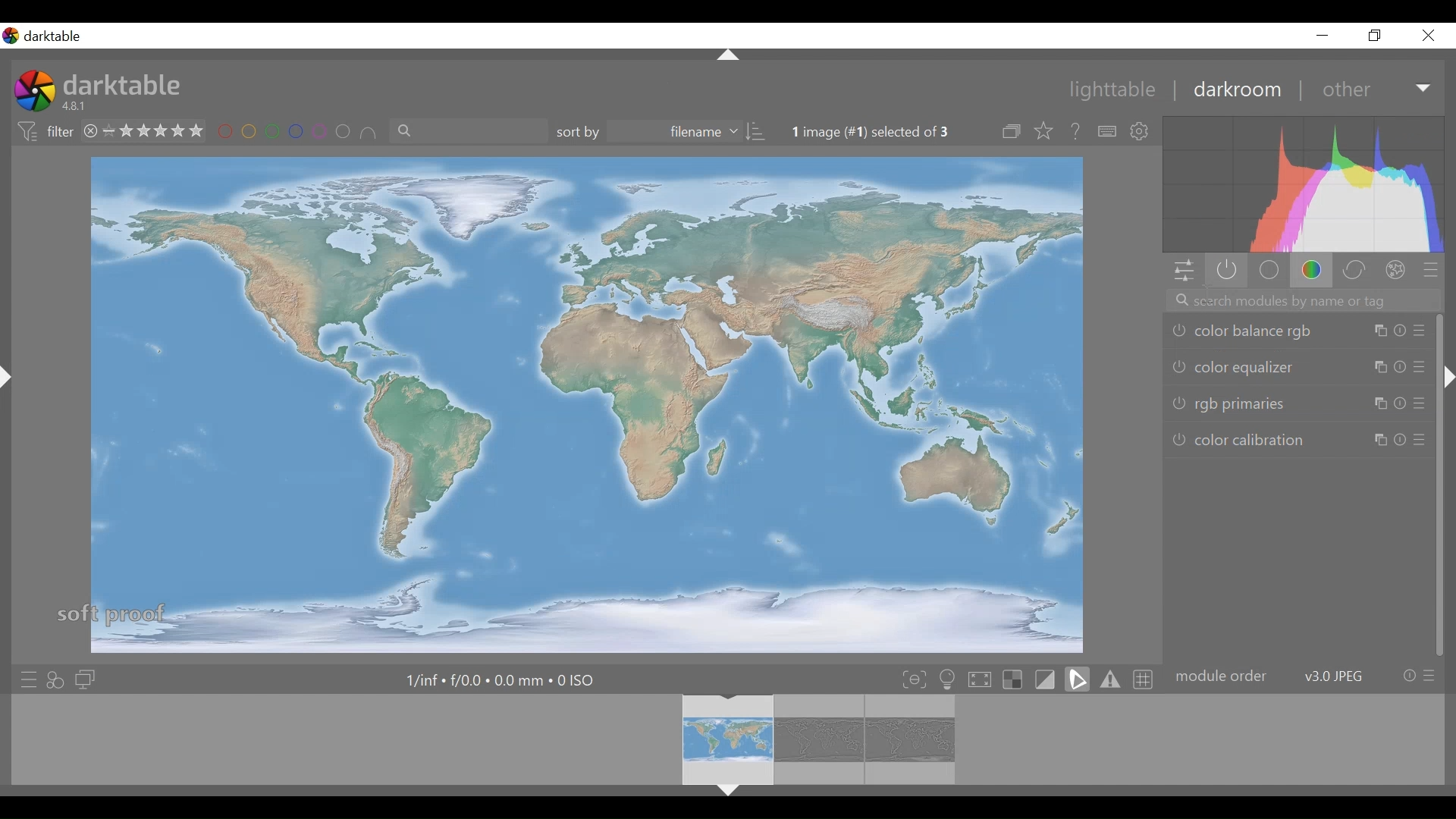 This screenshot has height=819, width=1456. I want to click on color, so click(1313, 270).